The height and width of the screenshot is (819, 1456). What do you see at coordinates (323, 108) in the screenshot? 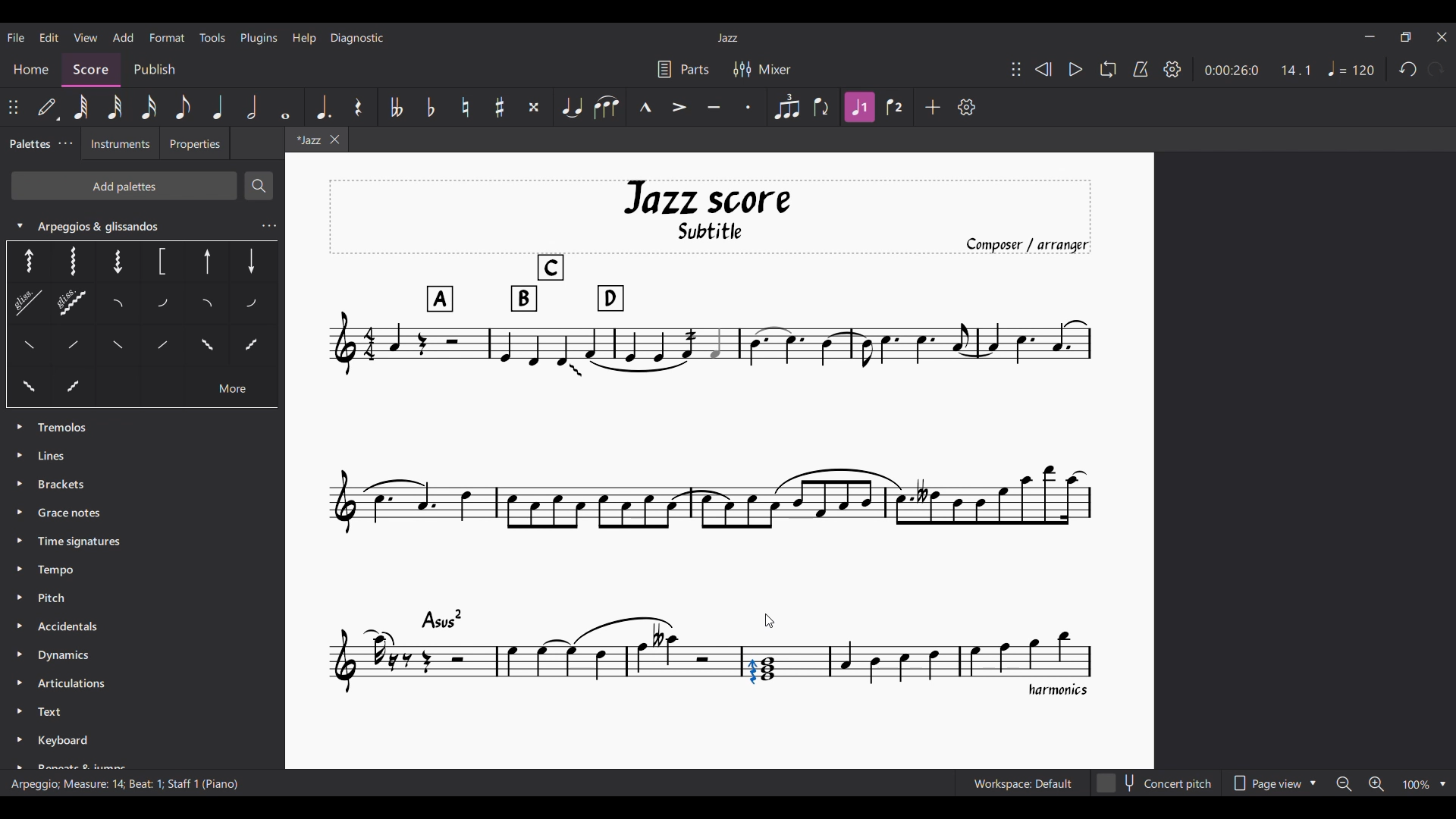
I see `Augmentation dot` at bounding box center [323, 108].